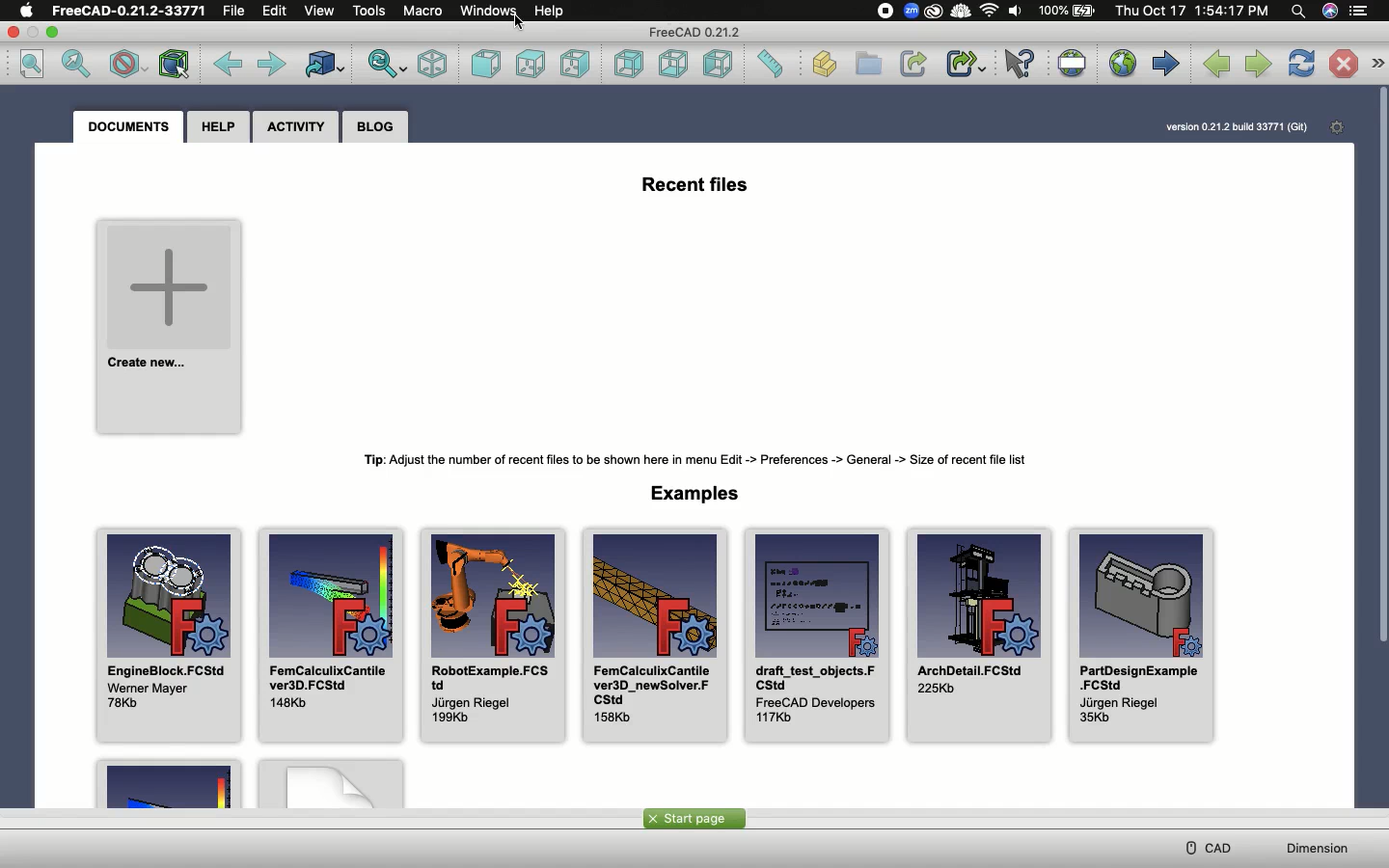  What do you see at coordinates (915, 63) in the screenshot?
I see `Make link` at bounding box center [915, 63].